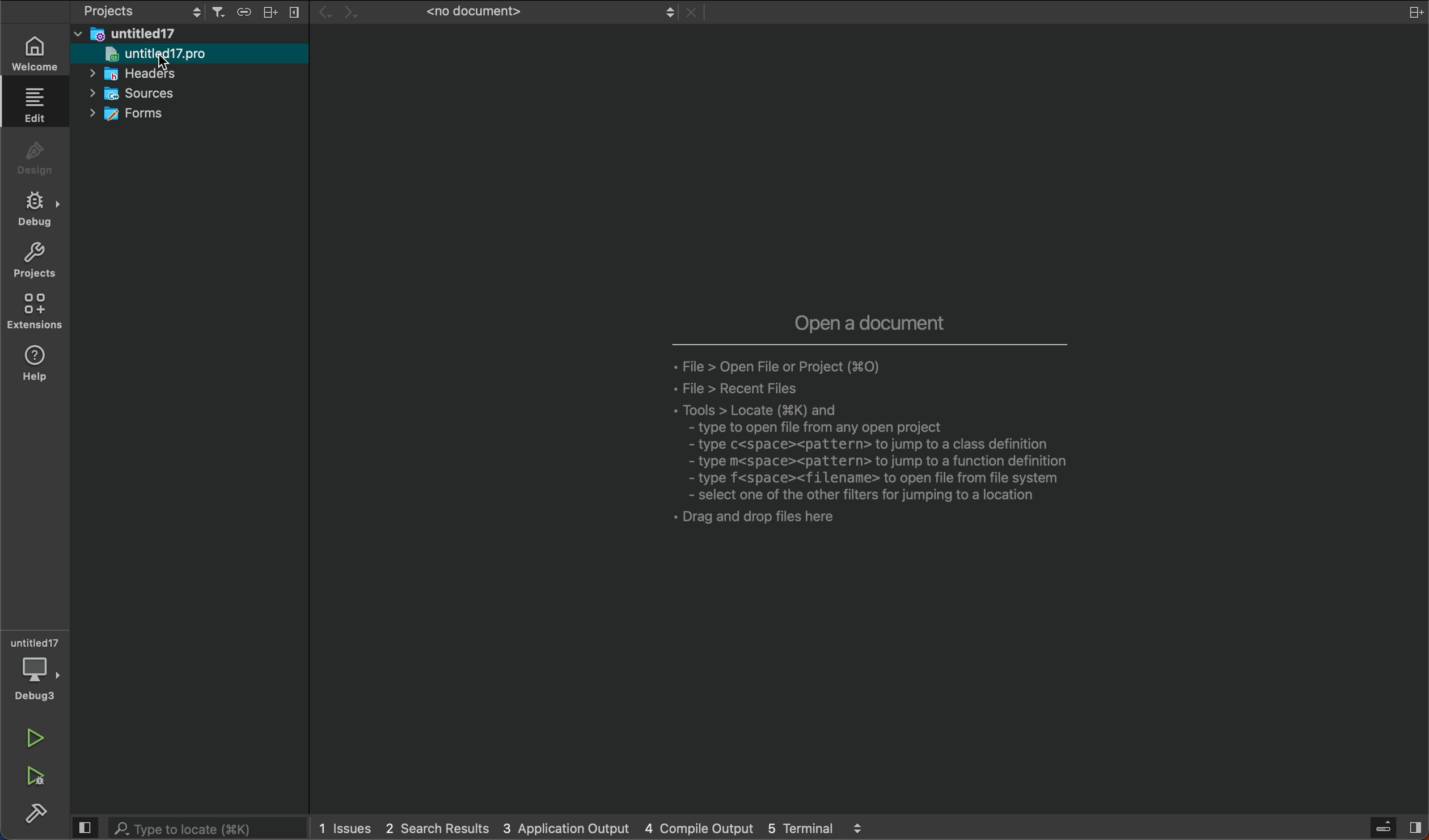 Image resolution: width=1429 pixels, height=840 pixels. What do you see at coordinates (37, 312) in the screenshot?
I see `extensions` at bounding box center [37, 312].